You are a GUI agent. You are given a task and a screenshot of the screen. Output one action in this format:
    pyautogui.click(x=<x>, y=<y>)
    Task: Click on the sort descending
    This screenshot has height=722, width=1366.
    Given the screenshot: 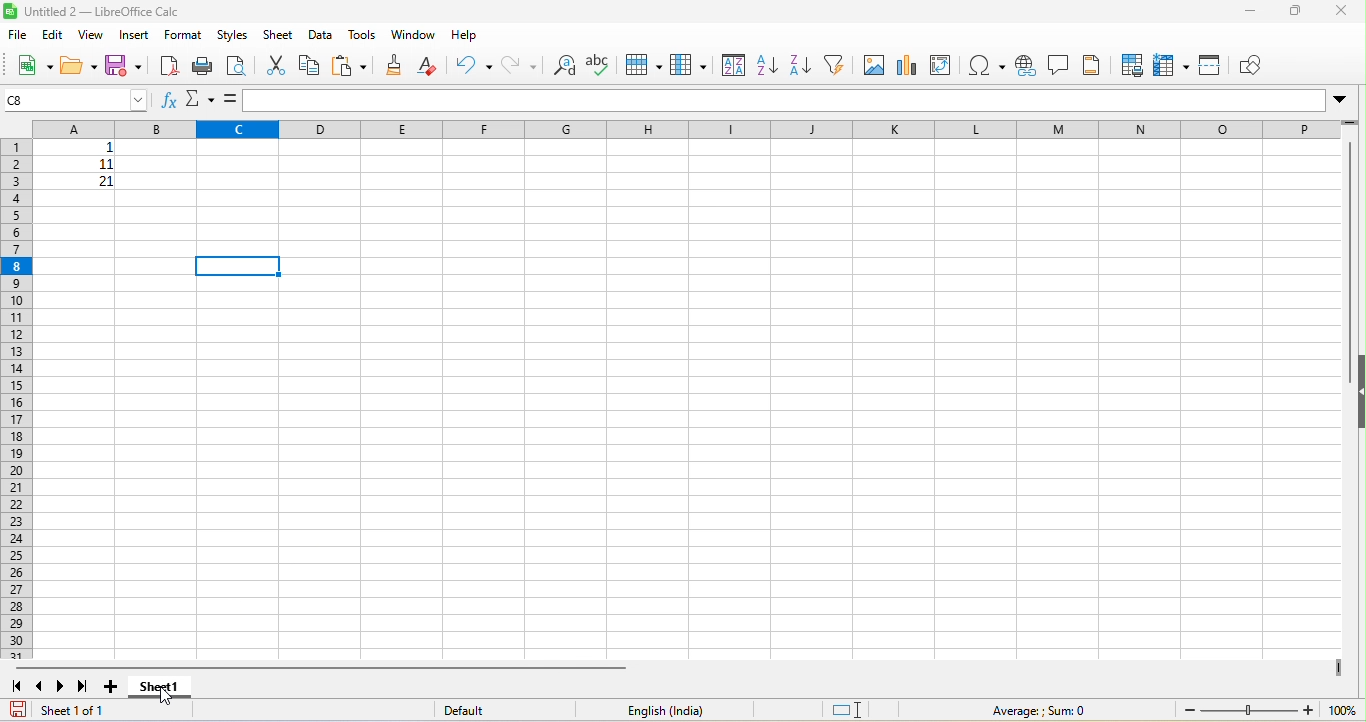 What is the action you would take?
    pyautogui.click(x=799, y=64)
    